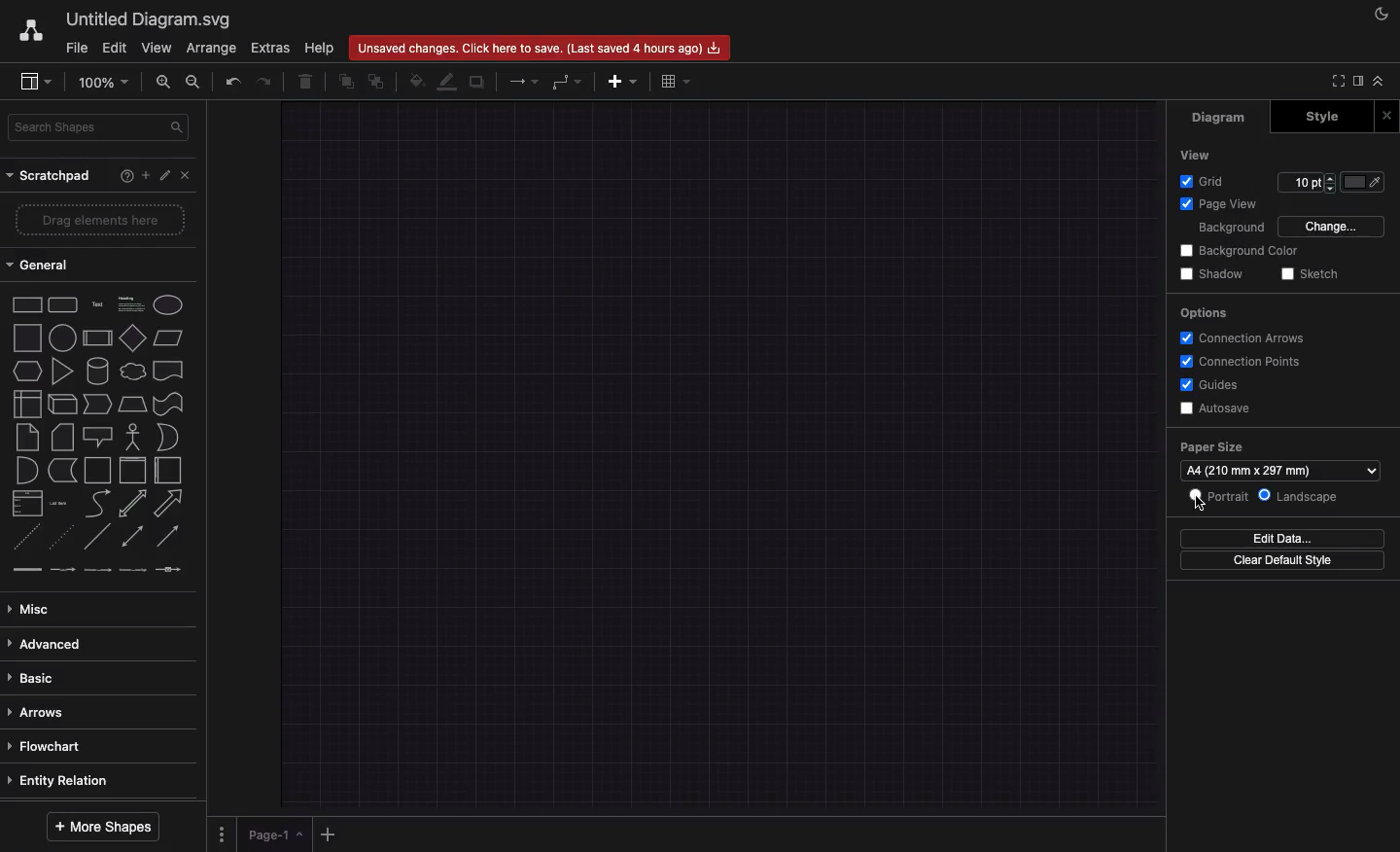 Image resolution: width=1400 pixels, height=852 pixels. What do you see at coordinates (118, 49) in the screenshot?
I see `Edit` at bounding box center [118, 49].